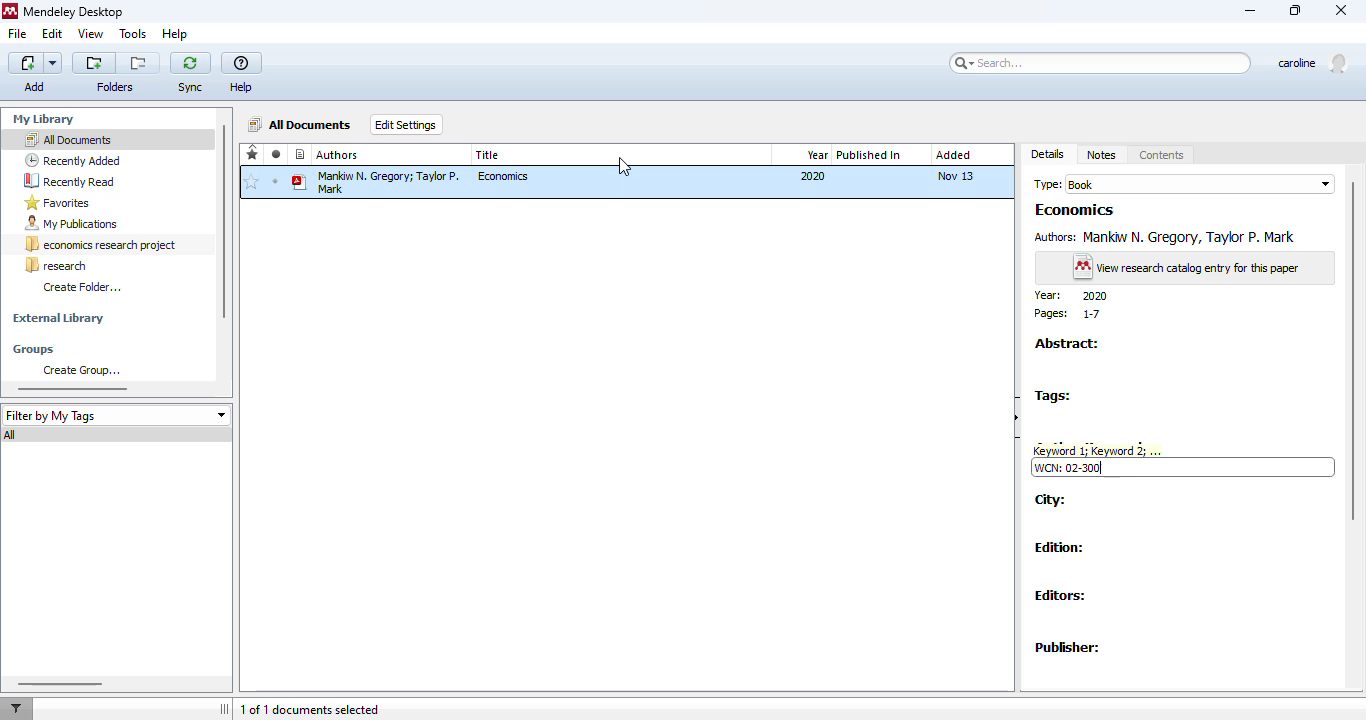 Image resolution: width=1366 pixels, height=720 pixels. What do you see at coordinates (74, 12) in the screenshot?
I see `mendeley desktop` at bounding box center [74, 12].